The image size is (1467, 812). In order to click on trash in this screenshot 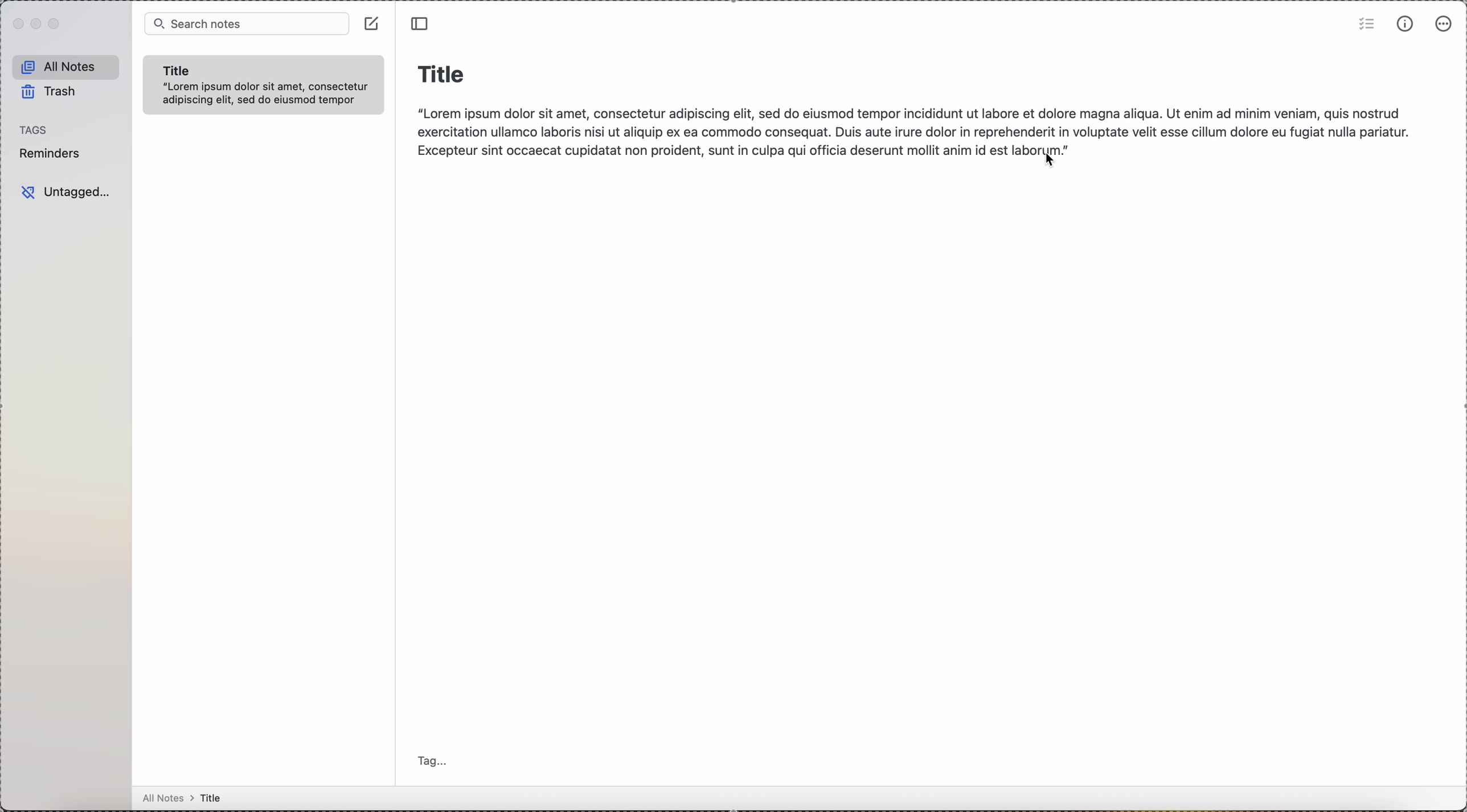, I will do `click(54, 91)`.